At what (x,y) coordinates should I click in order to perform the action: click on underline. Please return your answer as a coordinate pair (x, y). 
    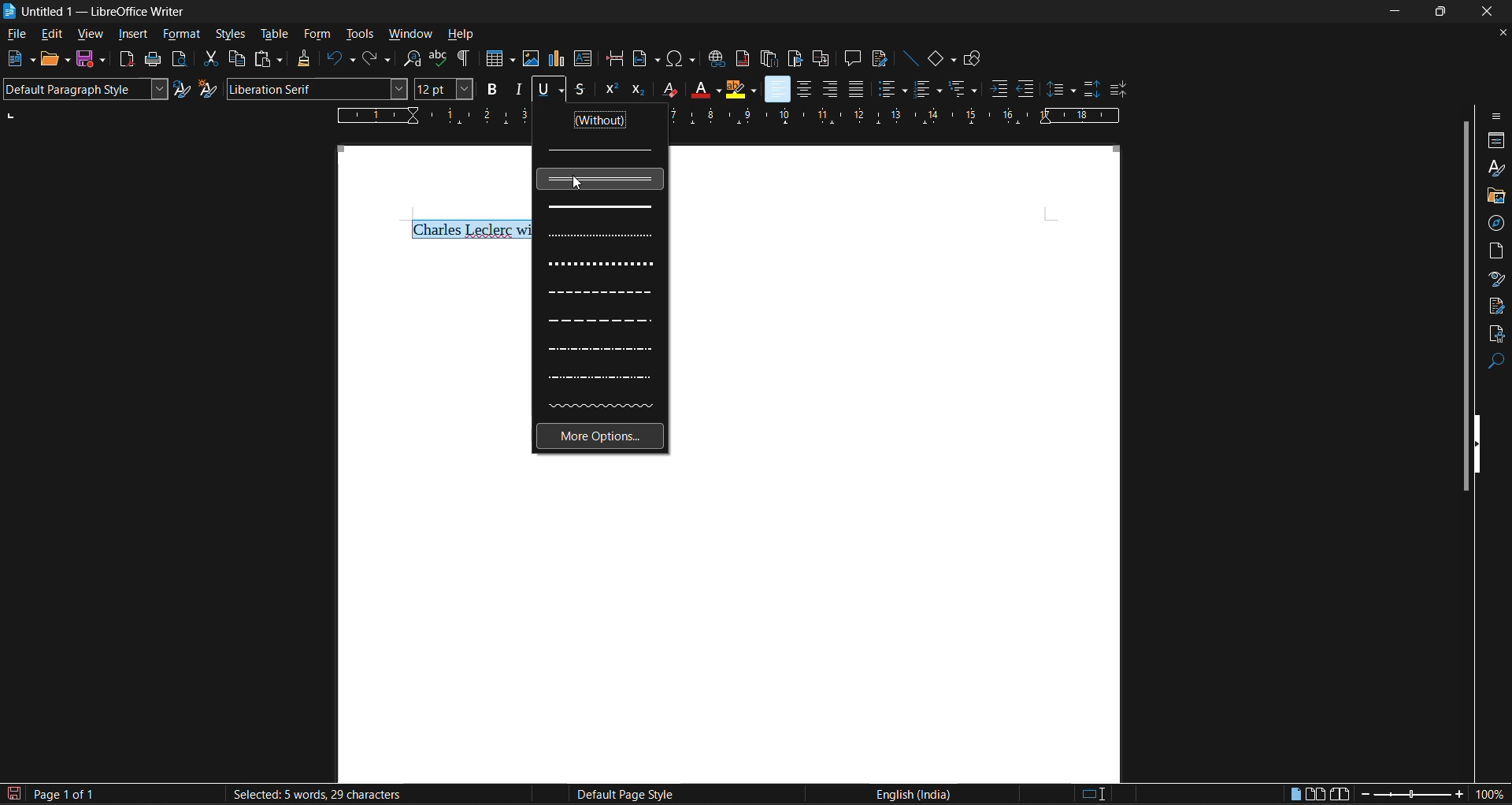
    Looking at the image, I should click on (601, 150).